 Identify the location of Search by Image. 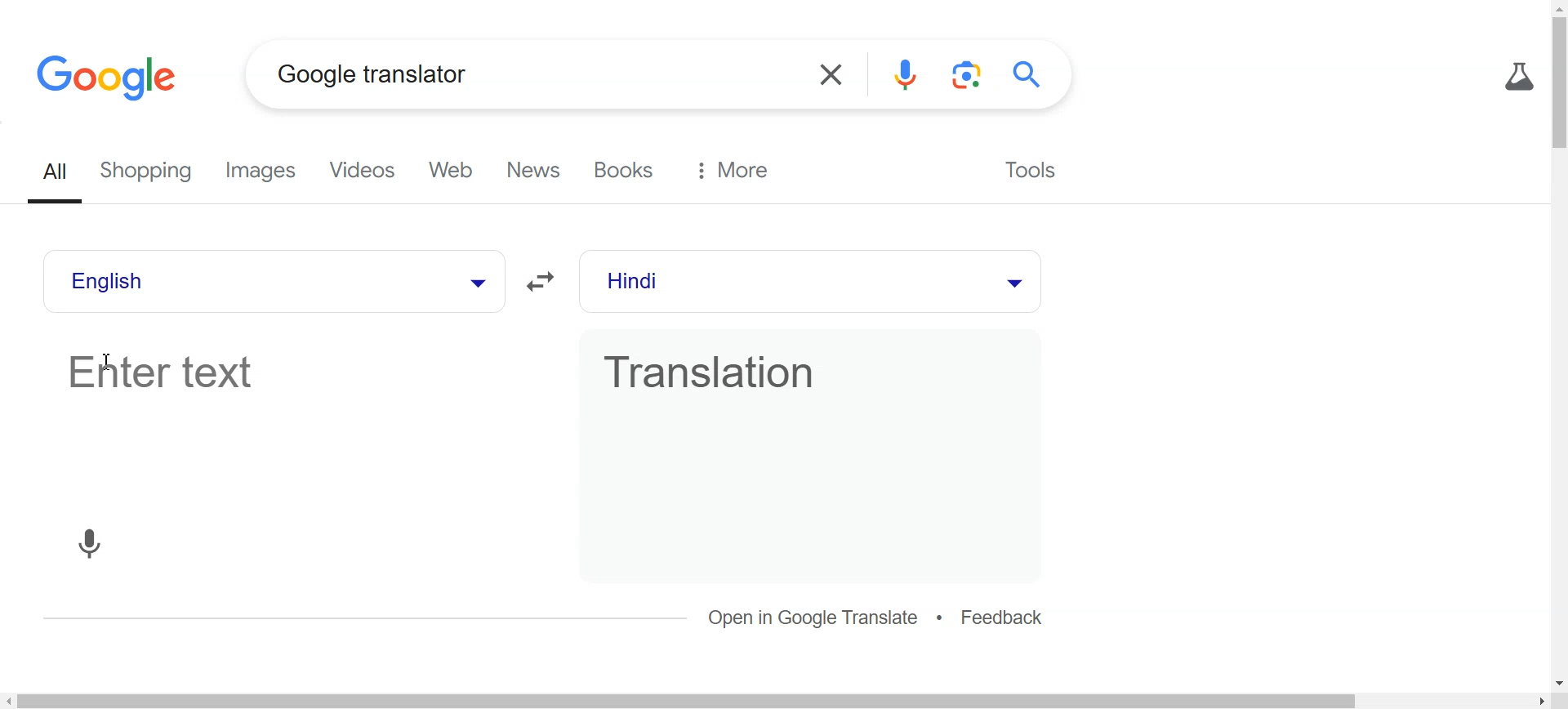
(969, 75).